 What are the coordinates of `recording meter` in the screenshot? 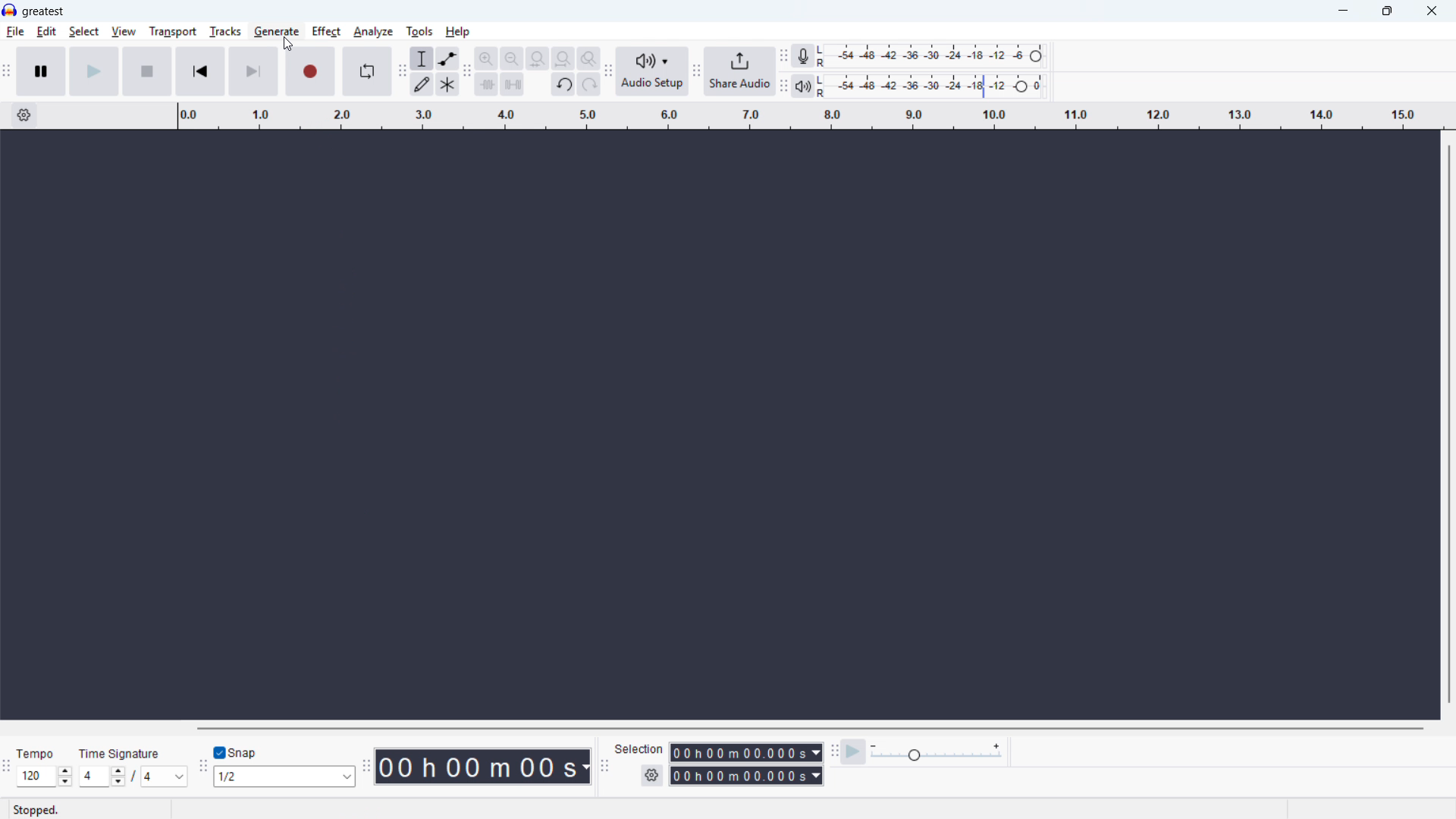 It's located at (802, 55).